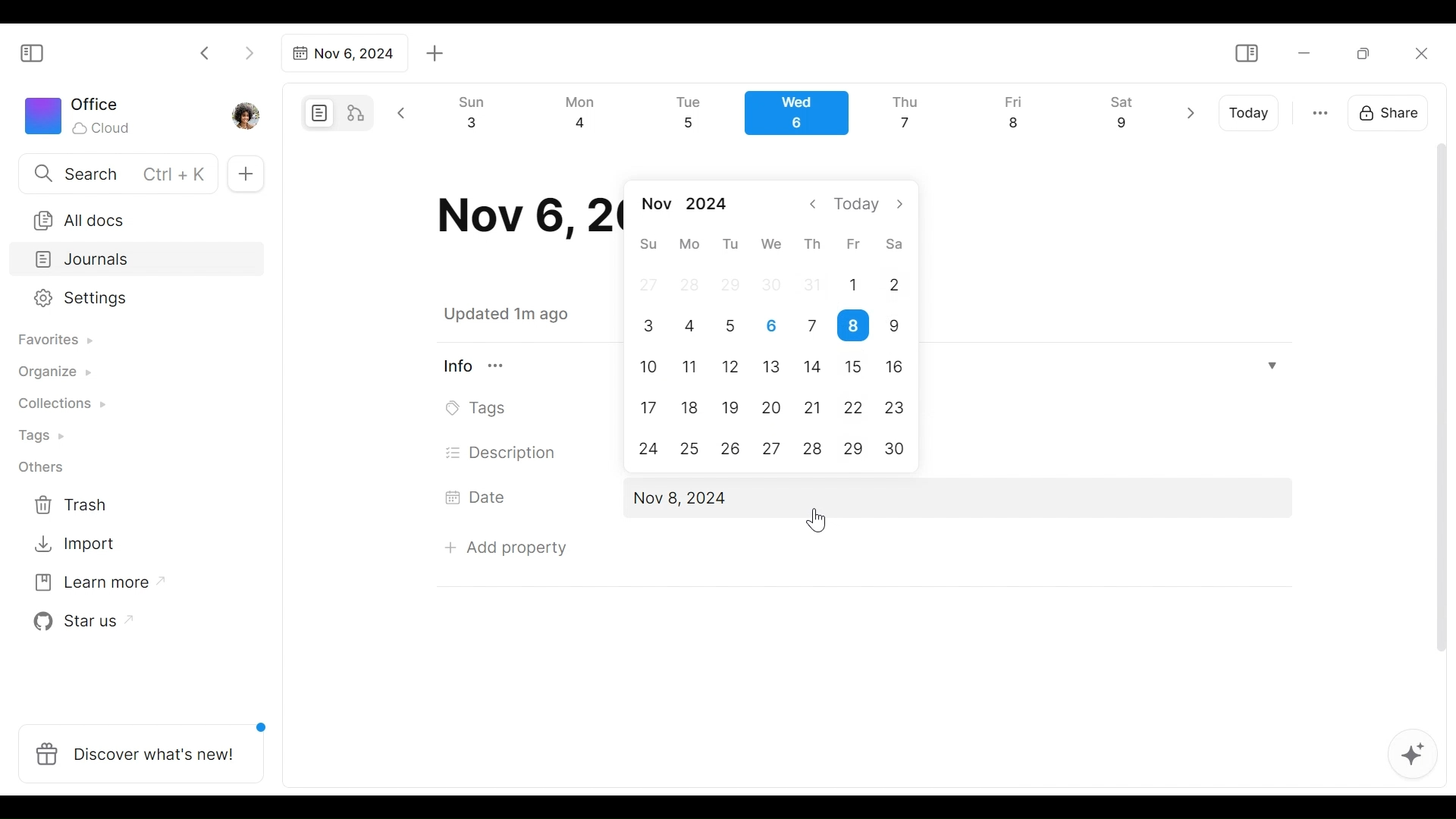 This screenshot has width=1456, height=819. What do you see at coordinates (954, 500) in the screenshot?
I see `Date's Field` at bounding box center [954, 500].